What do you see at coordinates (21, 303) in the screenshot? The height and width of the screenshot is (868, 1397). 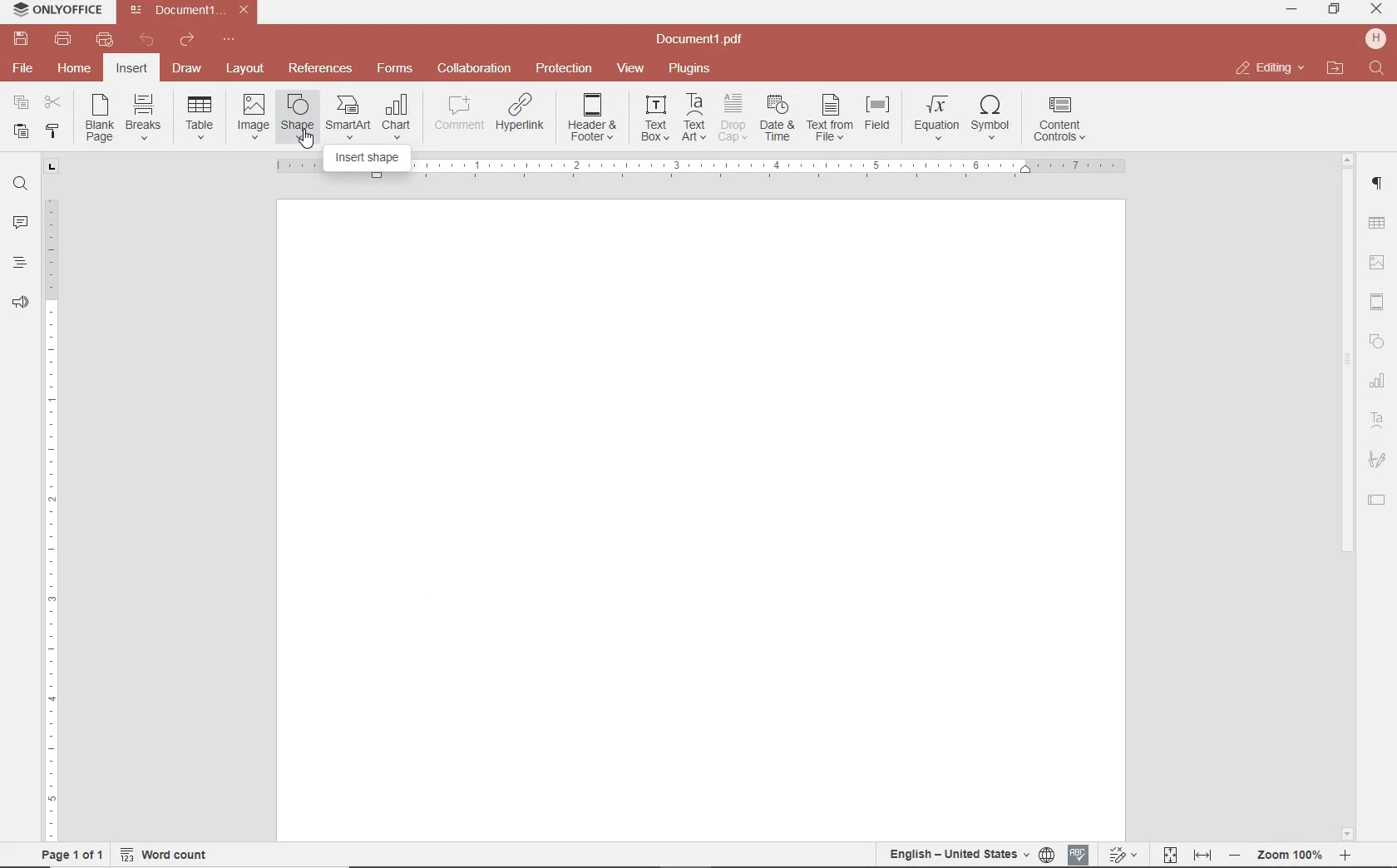 I see `feedback & support` at bounding box center [21, 303].